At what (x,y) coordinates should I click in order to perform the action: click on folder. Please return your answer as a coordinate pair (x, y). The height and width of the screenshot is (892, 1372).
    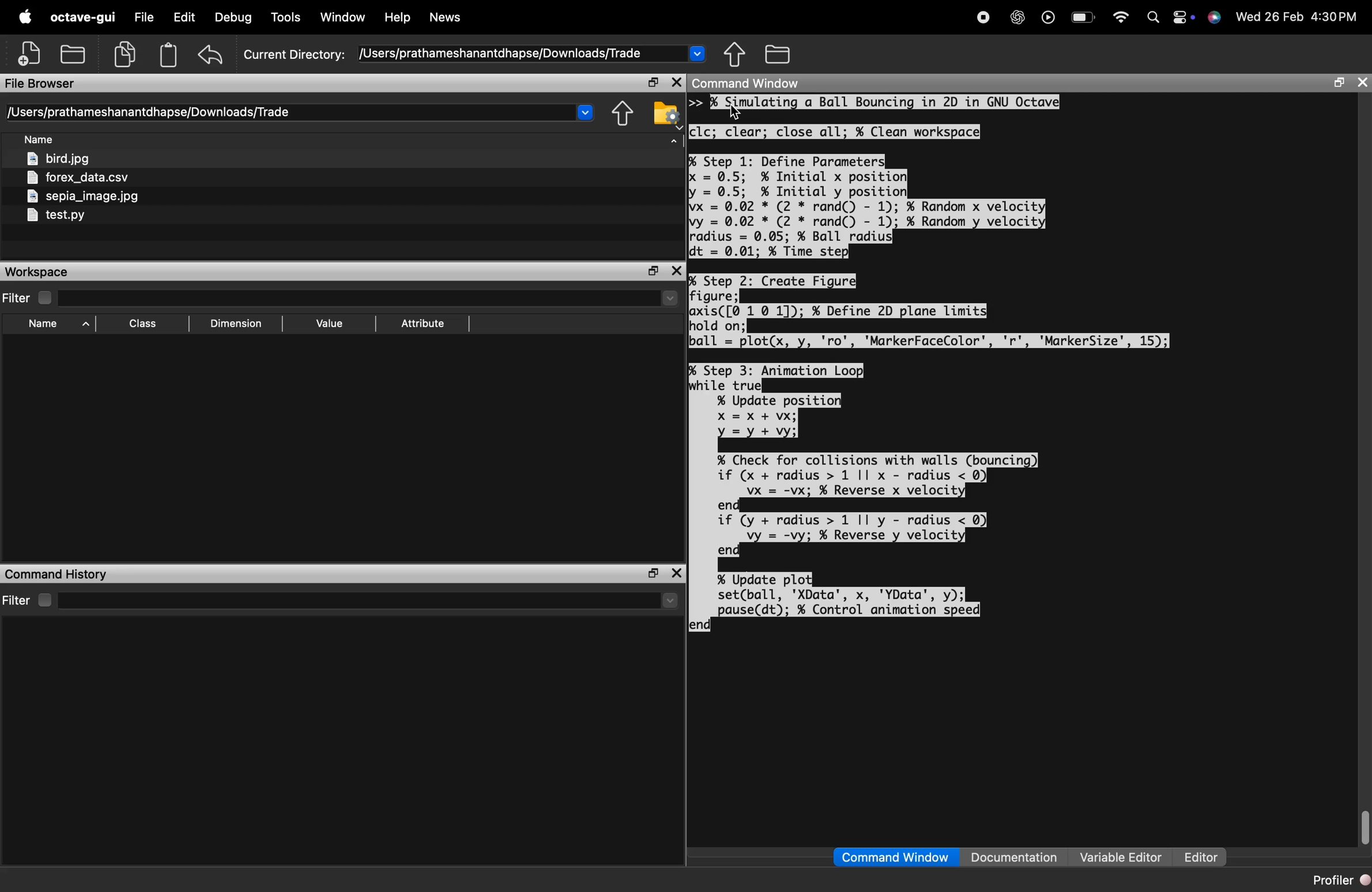
    Looking at the image, I should click on (778, 54).